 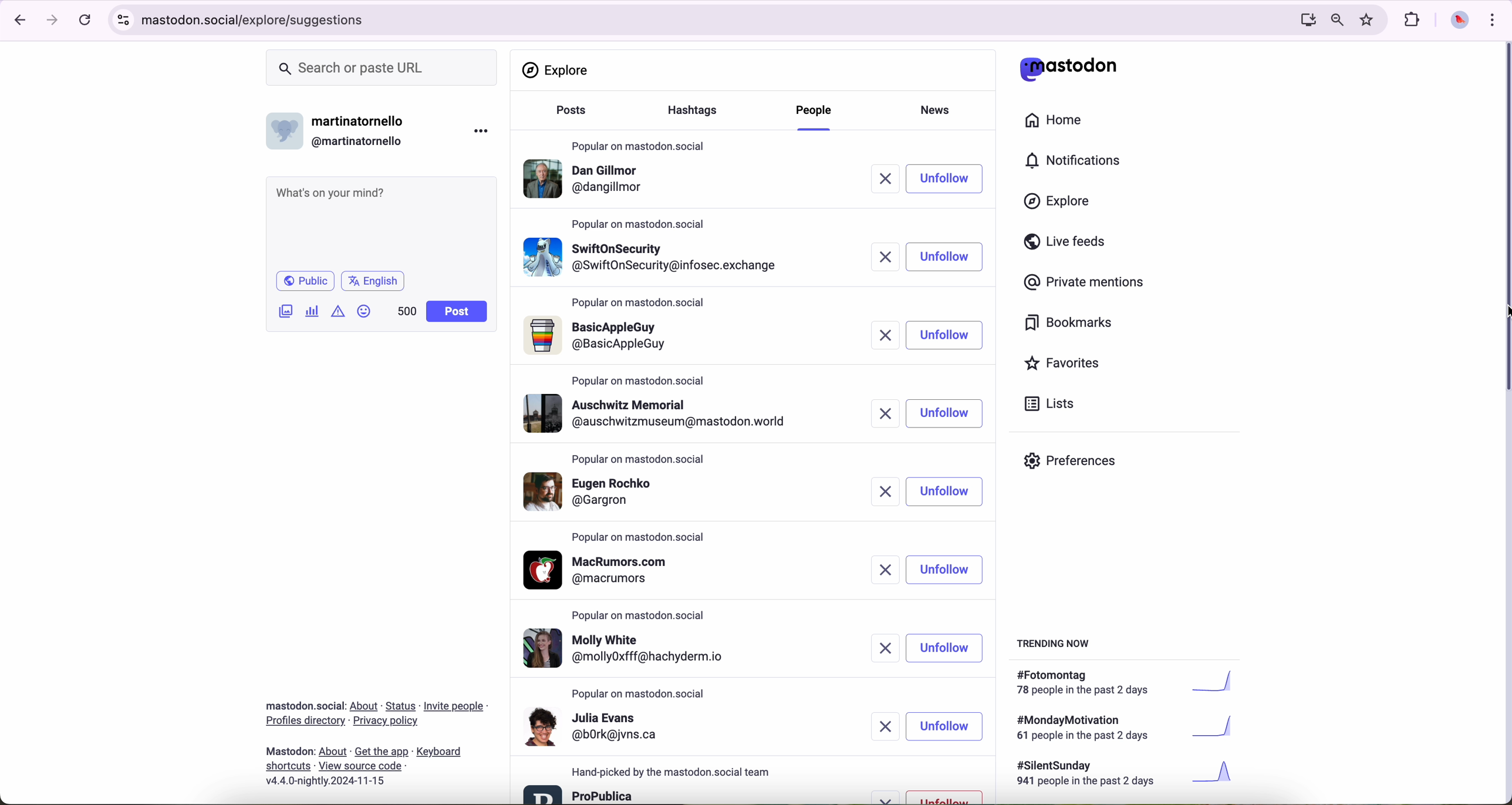 What do you see at coordinates (889, 413) in the screenshot?
I see `remove` at bounding box center [889, 413].